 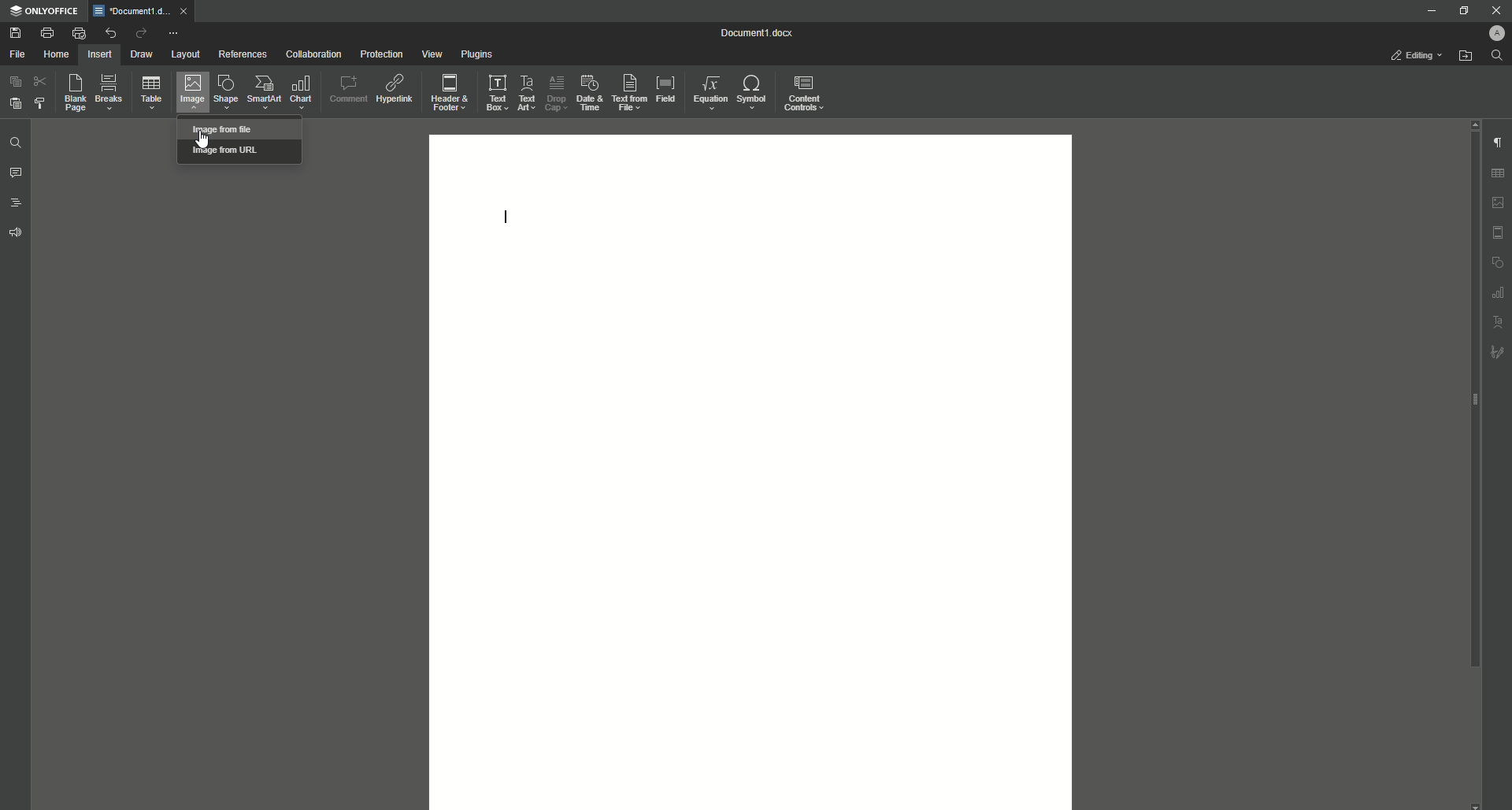 I want to click on Layout, so click(x=186, y=55).